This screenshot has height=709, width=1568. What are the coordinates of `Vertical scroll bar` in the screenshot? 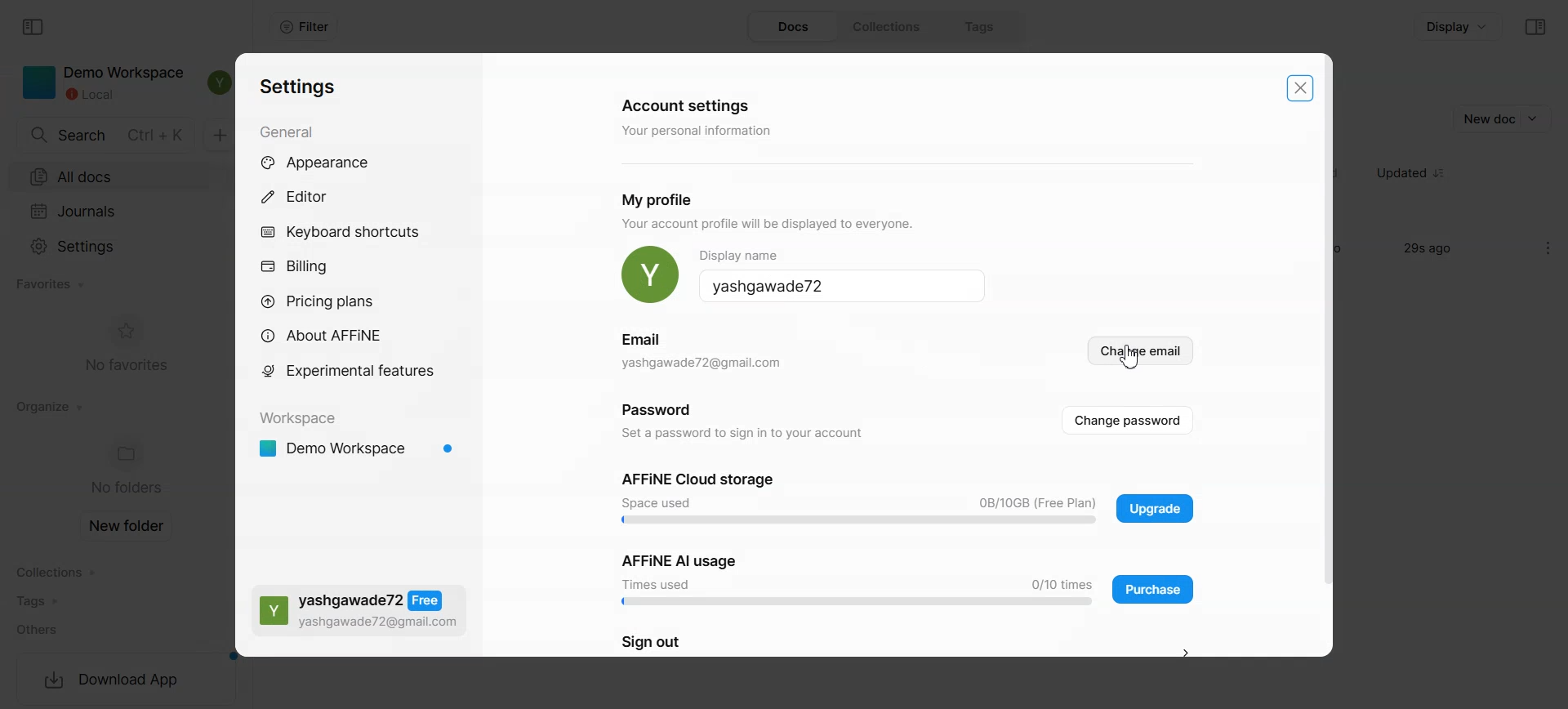 It's located at (1324, 356).